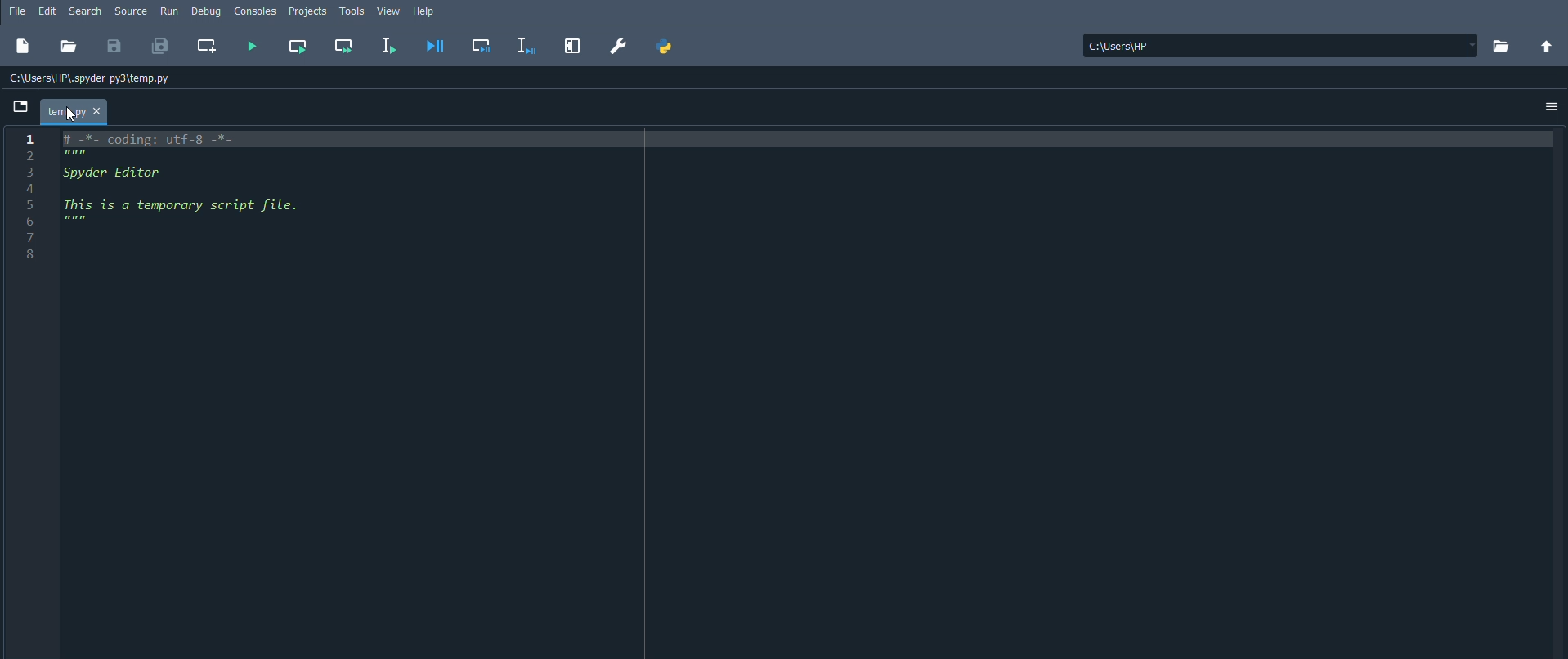 The image size is (1568, 659). I want to click on Save all files, so click(161, 45).